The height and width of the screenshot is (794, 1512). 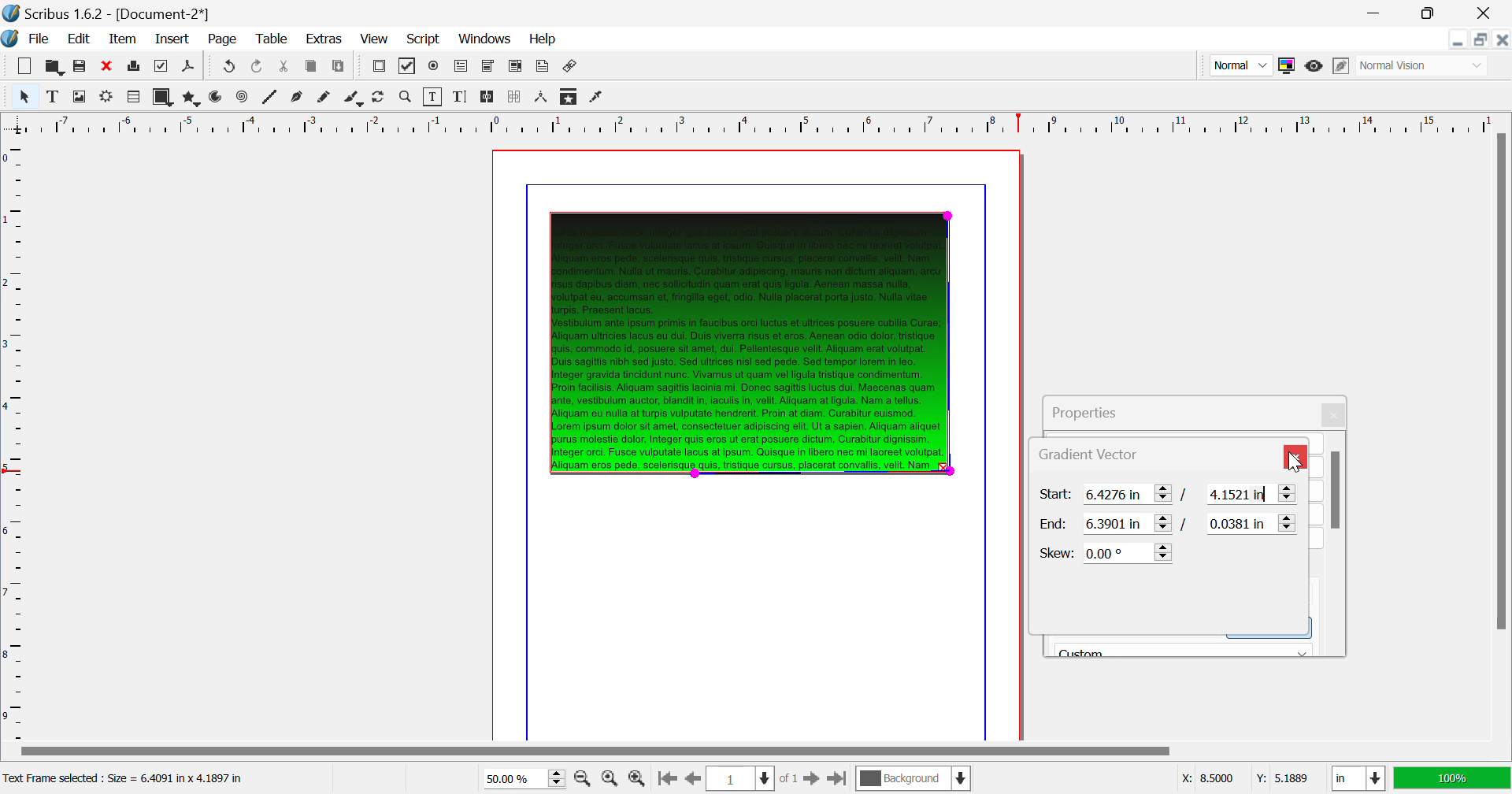 What do you see at coordinates (1170, 524) in the screenshot?
I see `Gradient Vector End` at bounding box center [1170, 524].